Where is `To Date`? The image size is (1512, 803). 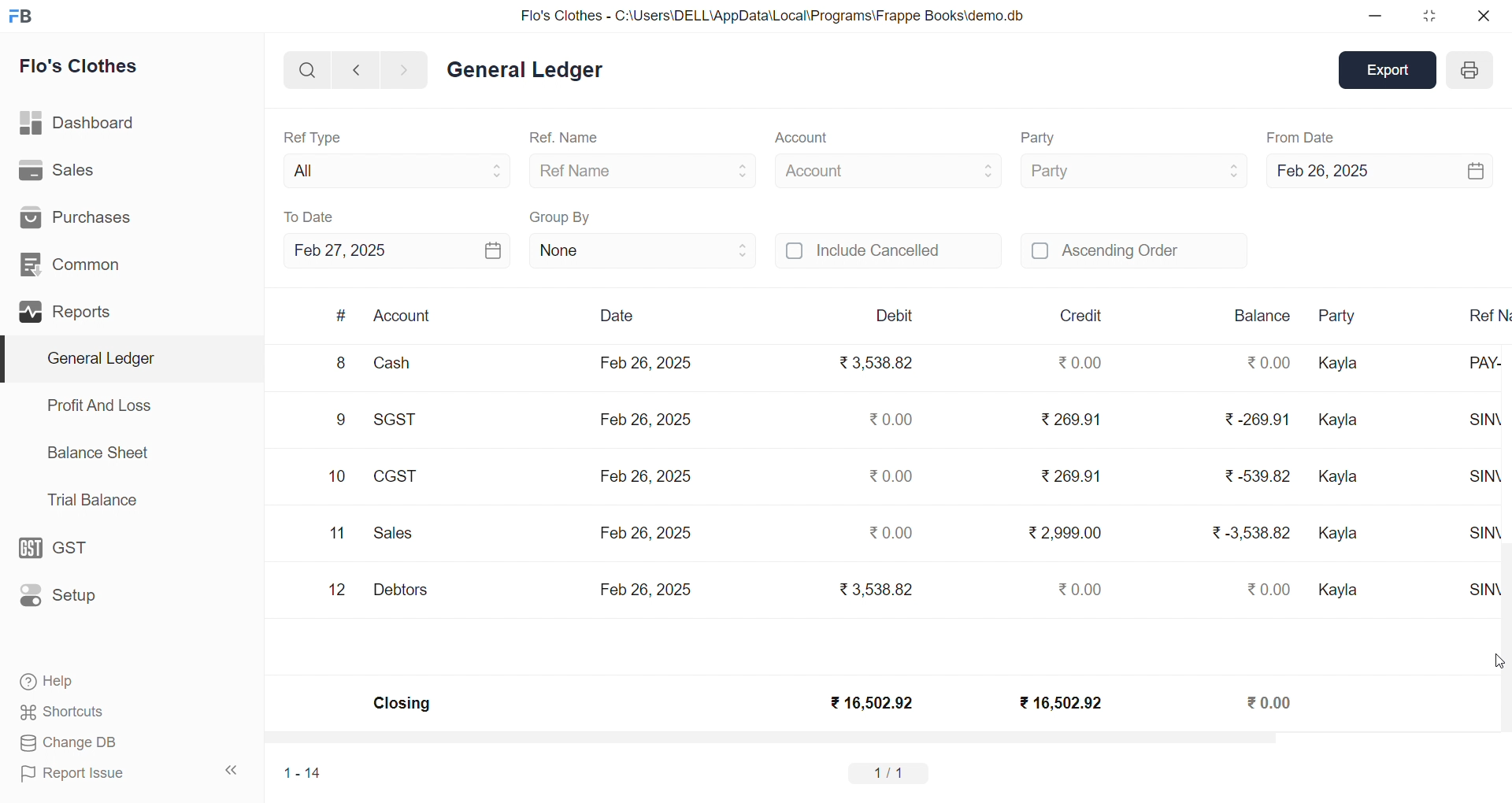
To Date is located at coordinates (310, 216).